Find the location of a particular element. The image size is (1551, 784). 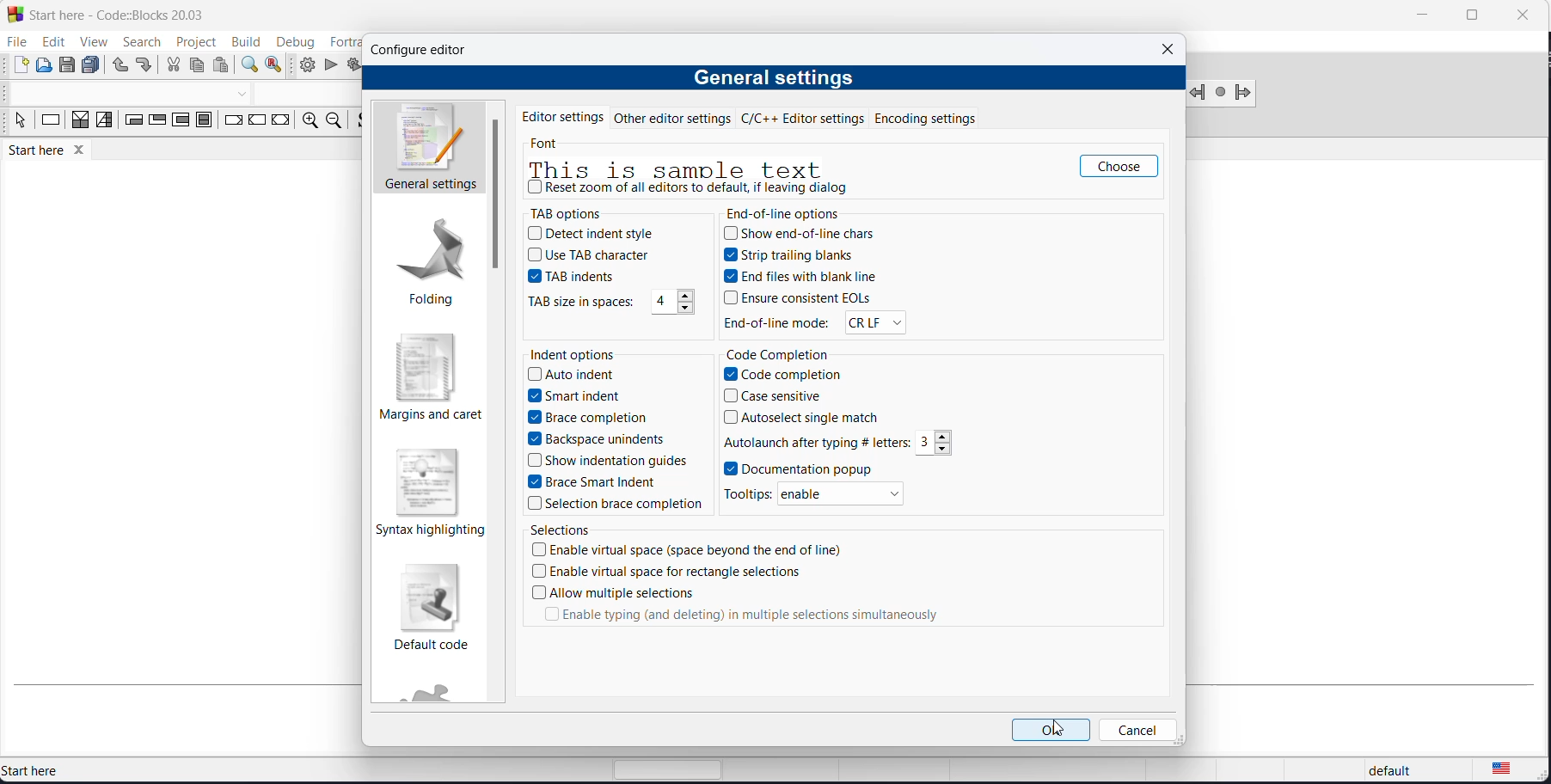

end of line mode is located at coordinates (777, 322).